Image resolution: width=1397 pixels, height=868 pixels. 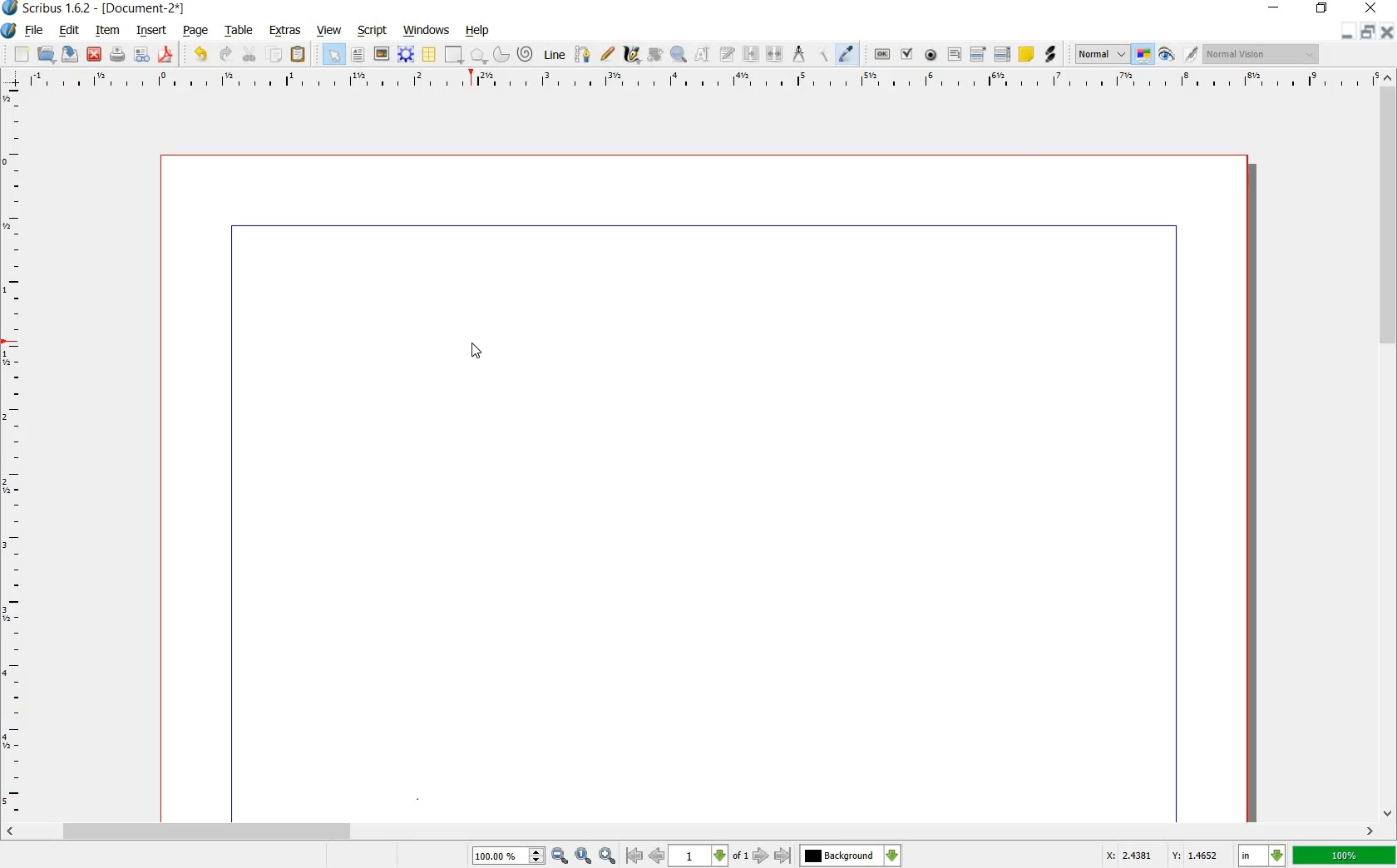 I want to click on TABLE, so click(x=430, y=55).